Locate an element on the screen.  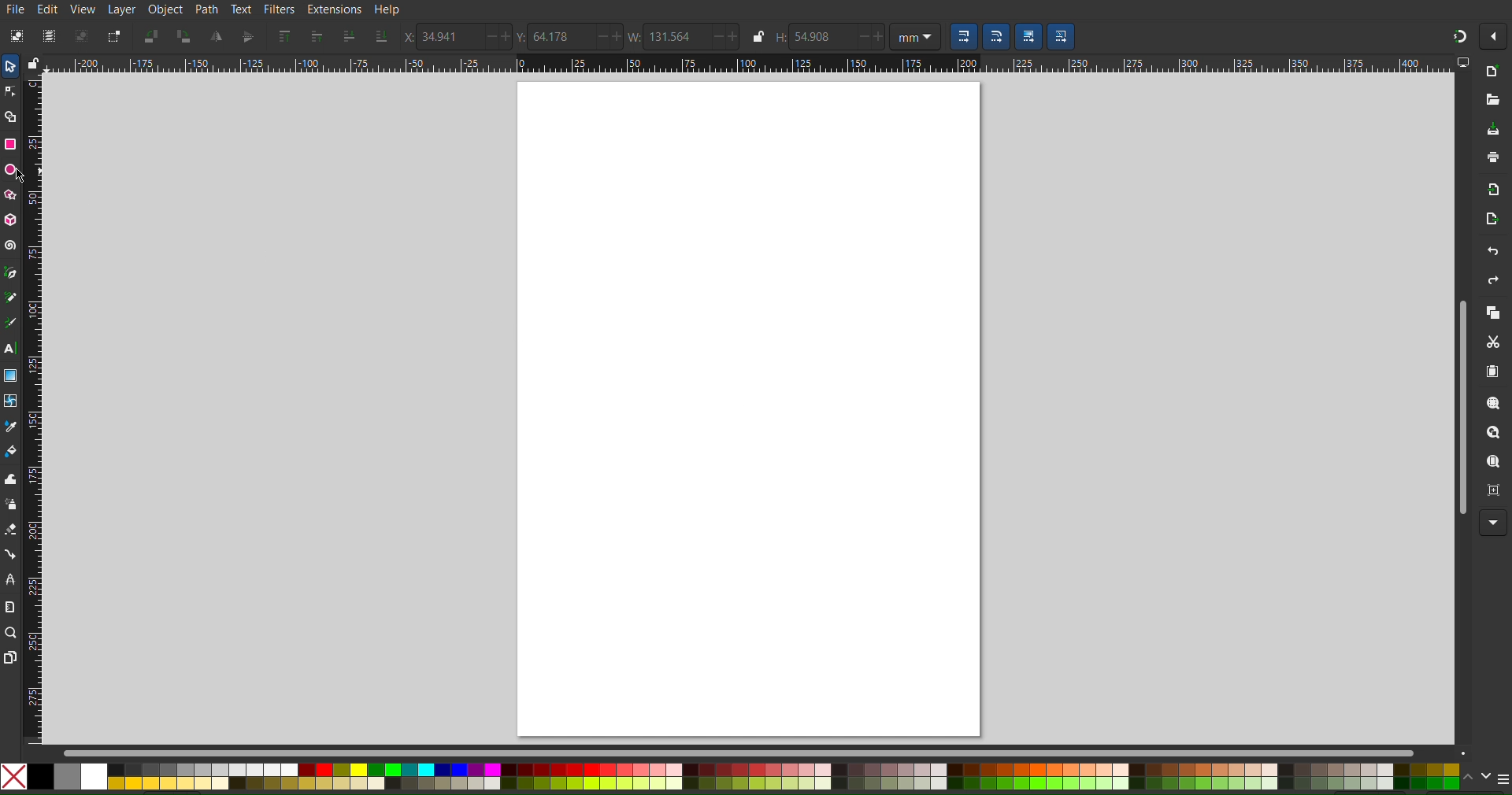
More options is located at coordinates (1494, 38).